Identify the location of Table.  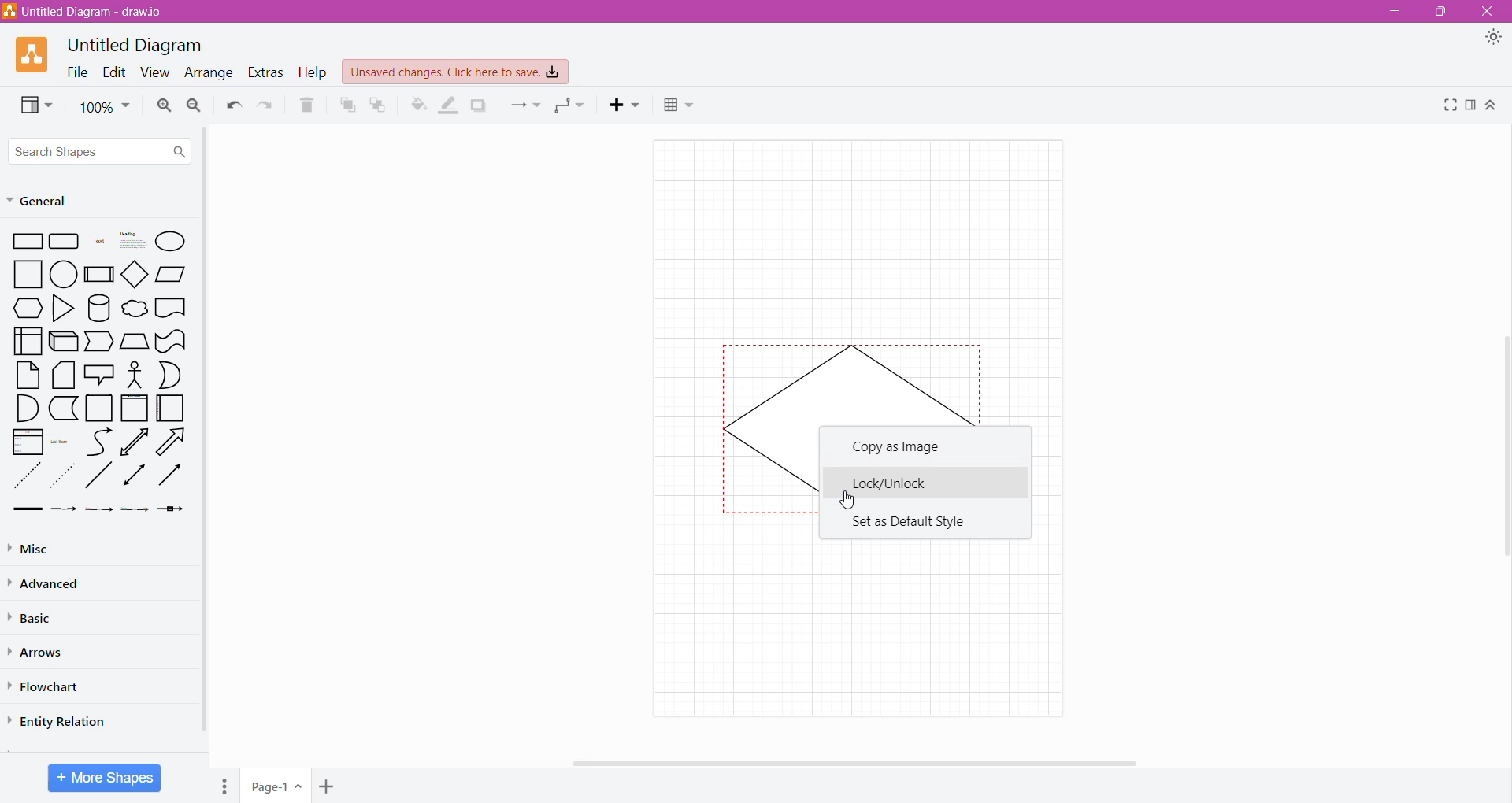
(679, 107).